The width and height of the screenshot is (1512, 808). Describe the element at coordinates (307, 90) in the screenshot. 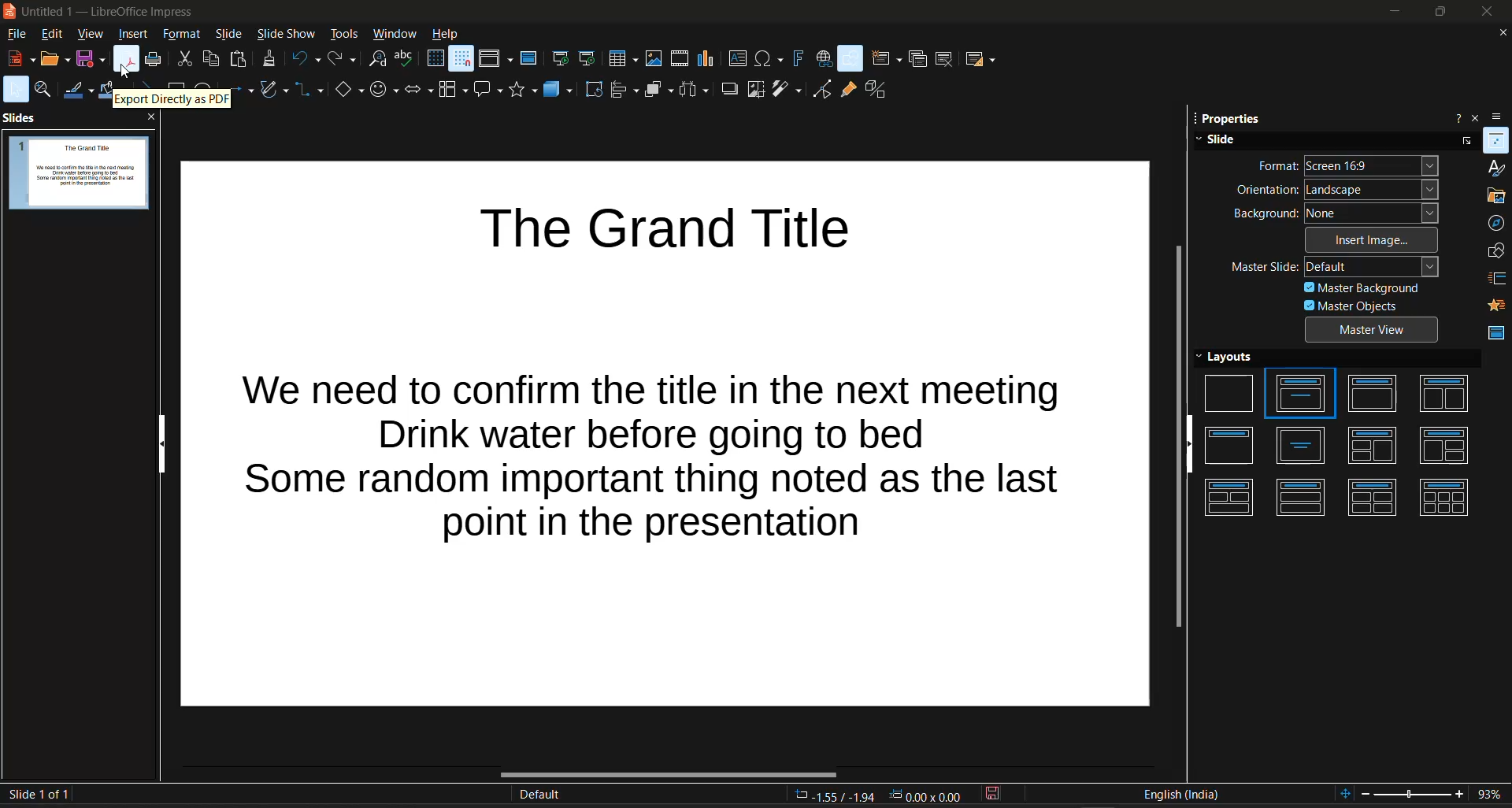

I see `connectors` at that location.